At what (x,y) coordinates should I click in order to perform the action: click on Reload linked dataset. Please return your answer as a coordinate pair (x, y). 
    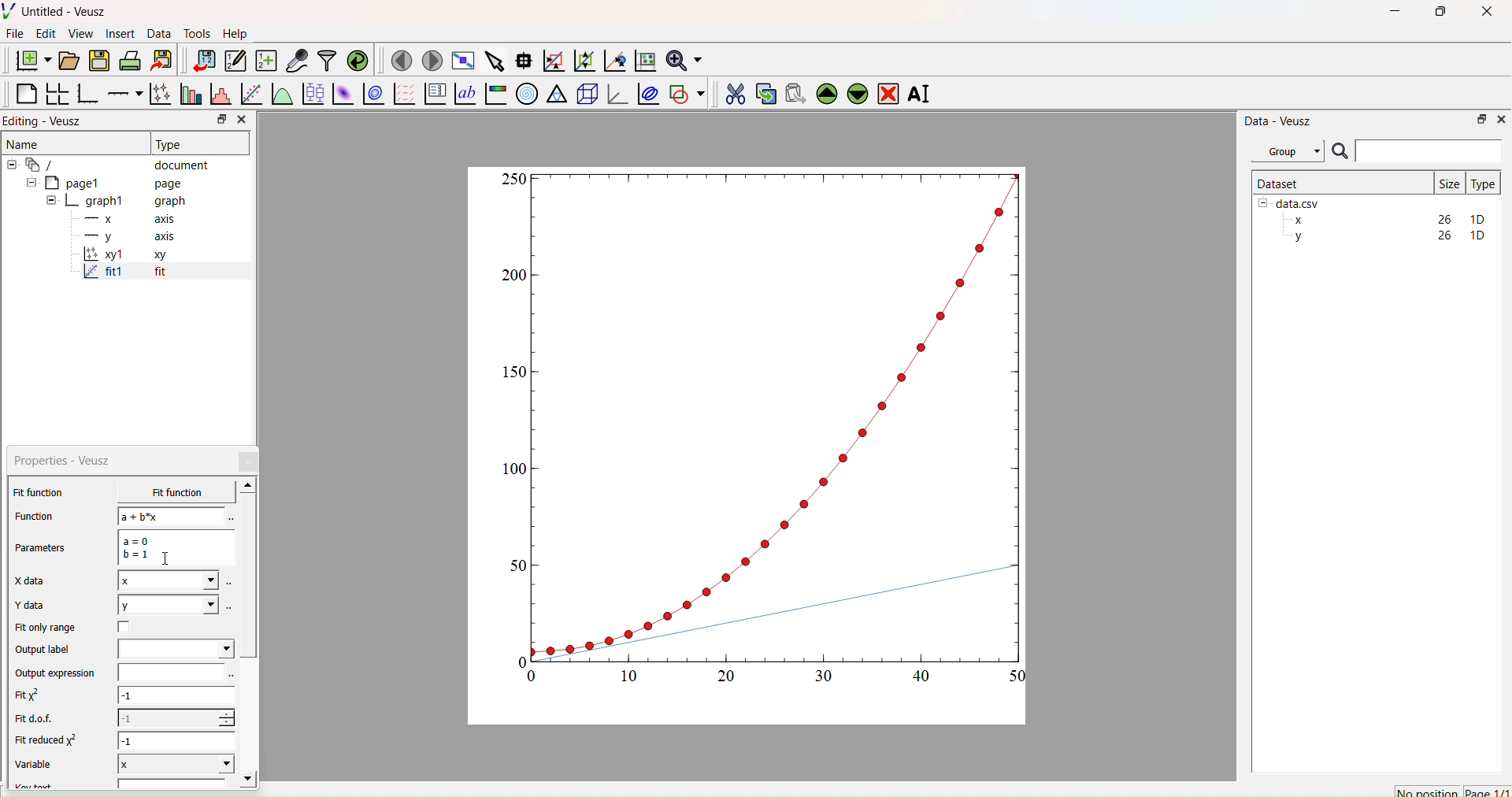
    Looking at the image, I should click on (356, 59).